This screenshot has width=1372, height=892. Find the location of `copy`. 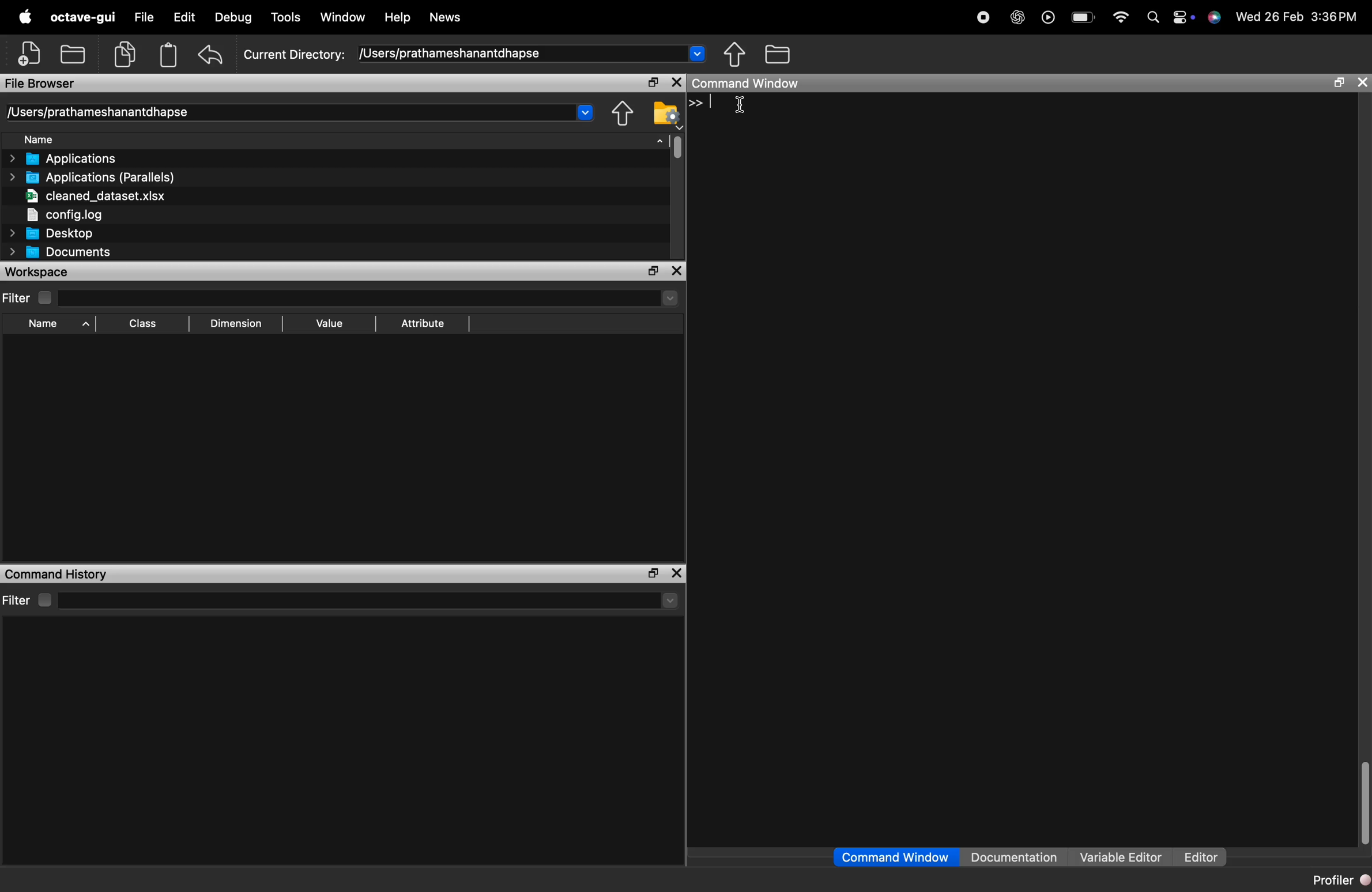

copy is located at coordinates (125, 54).